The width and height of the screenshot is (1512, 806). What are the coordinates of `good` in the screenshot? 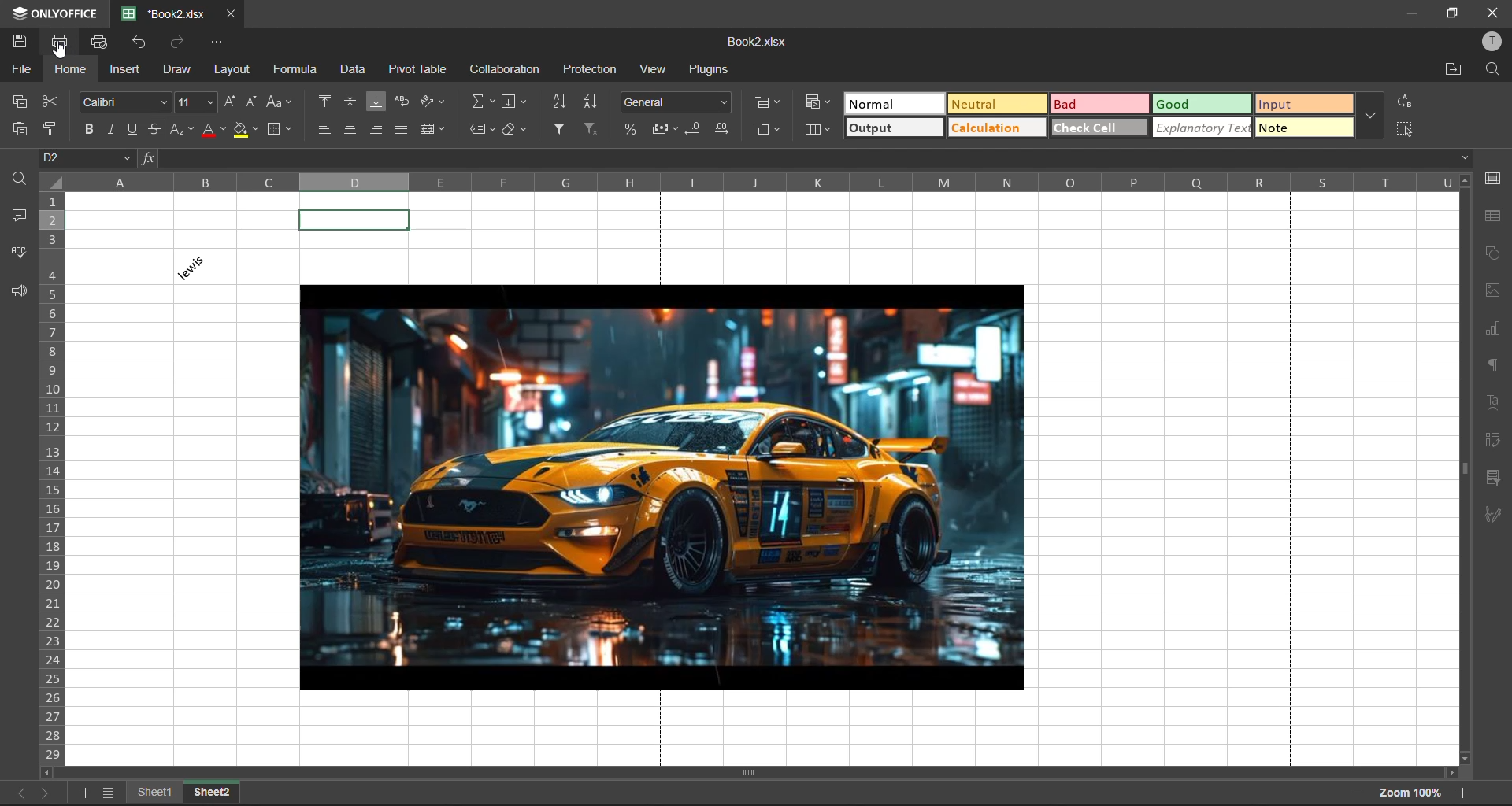 It's located at (1203, 103).